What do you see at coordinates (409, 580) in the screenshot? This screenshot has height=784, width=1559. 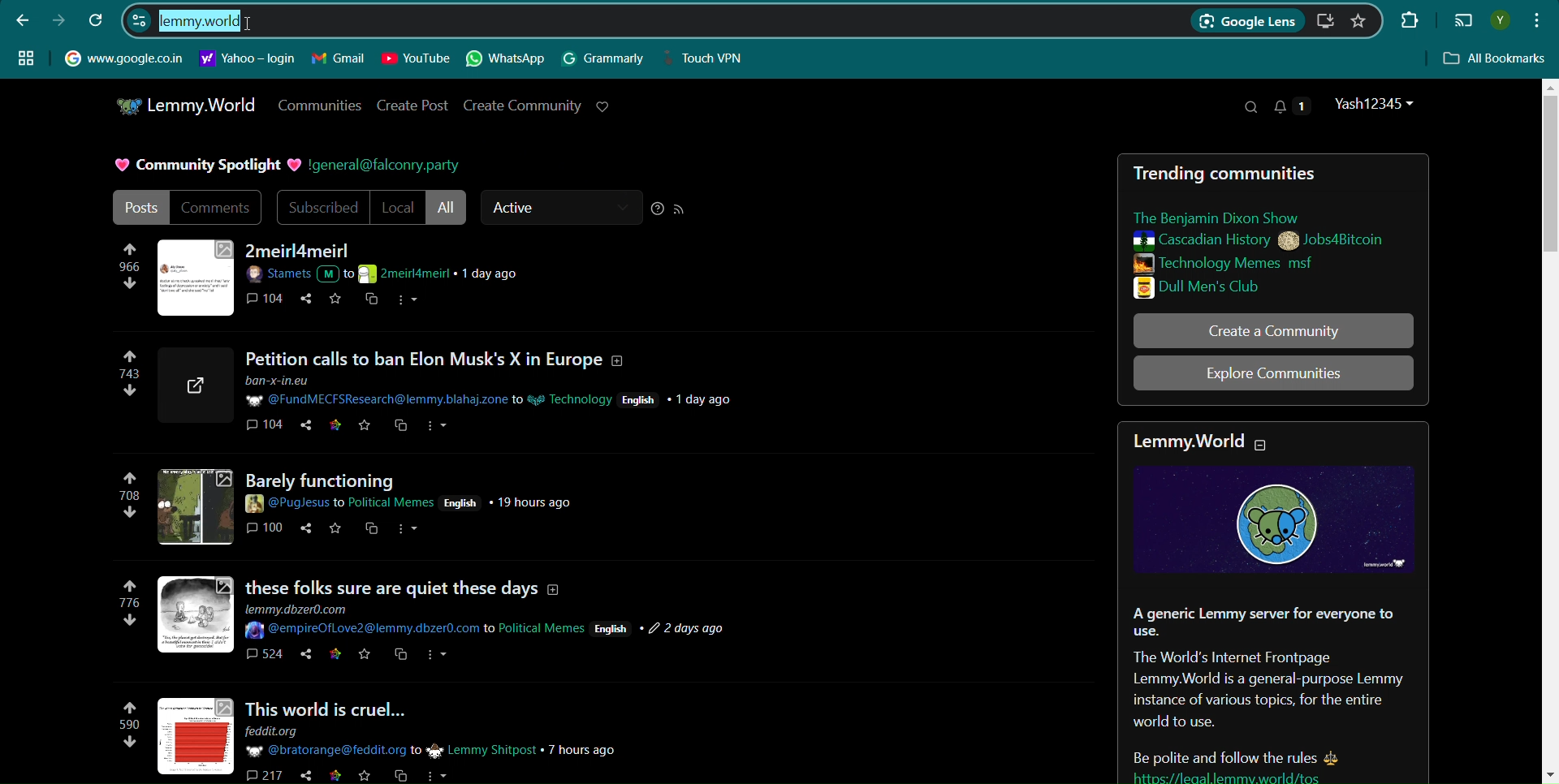 I see `these folks sure are quiet these days` at bounding box center [409, 580].